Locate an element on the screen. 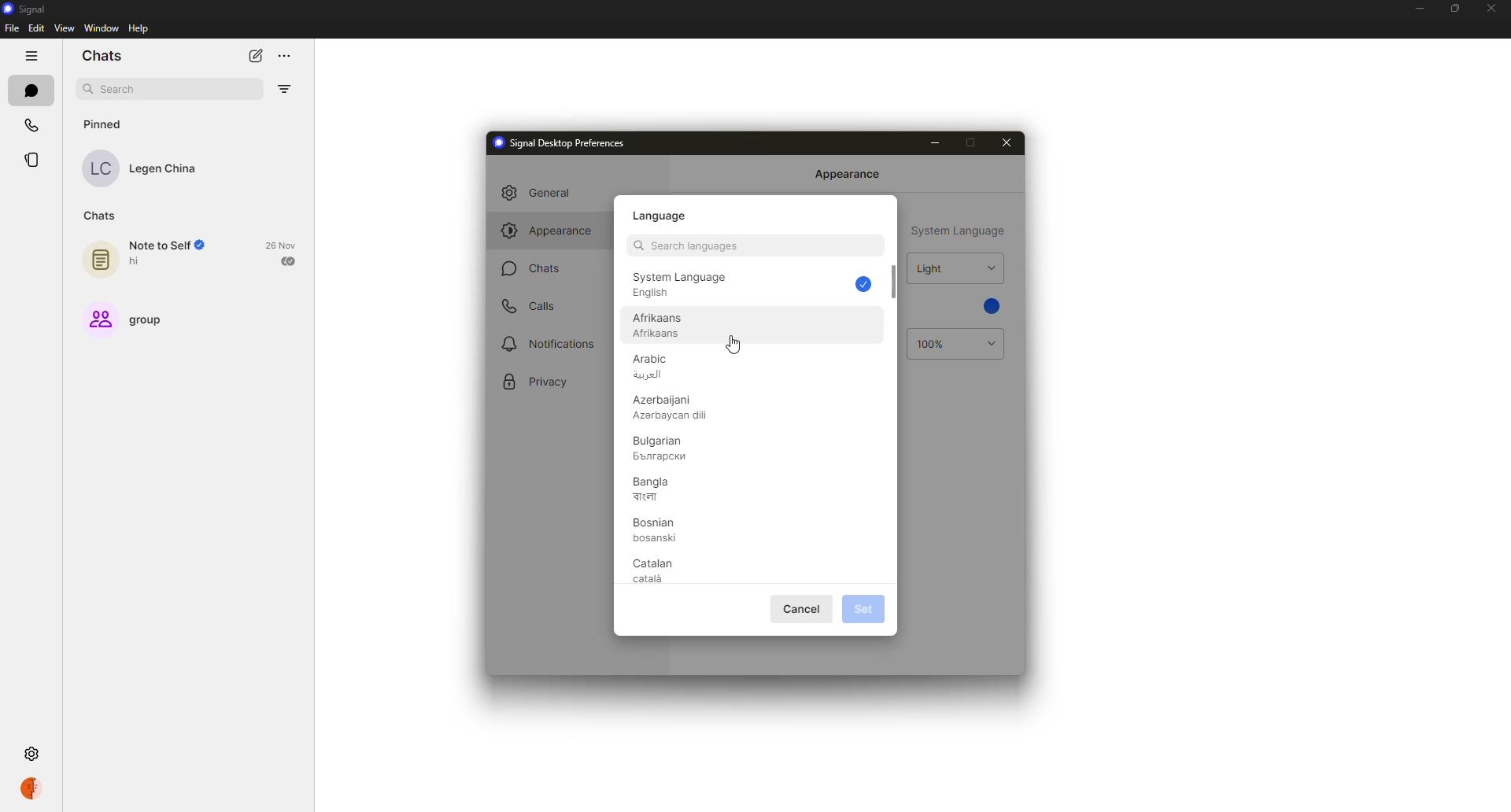 The width and height of the screenshot is (1511, 812). filter is located at coordinates (286, 88).